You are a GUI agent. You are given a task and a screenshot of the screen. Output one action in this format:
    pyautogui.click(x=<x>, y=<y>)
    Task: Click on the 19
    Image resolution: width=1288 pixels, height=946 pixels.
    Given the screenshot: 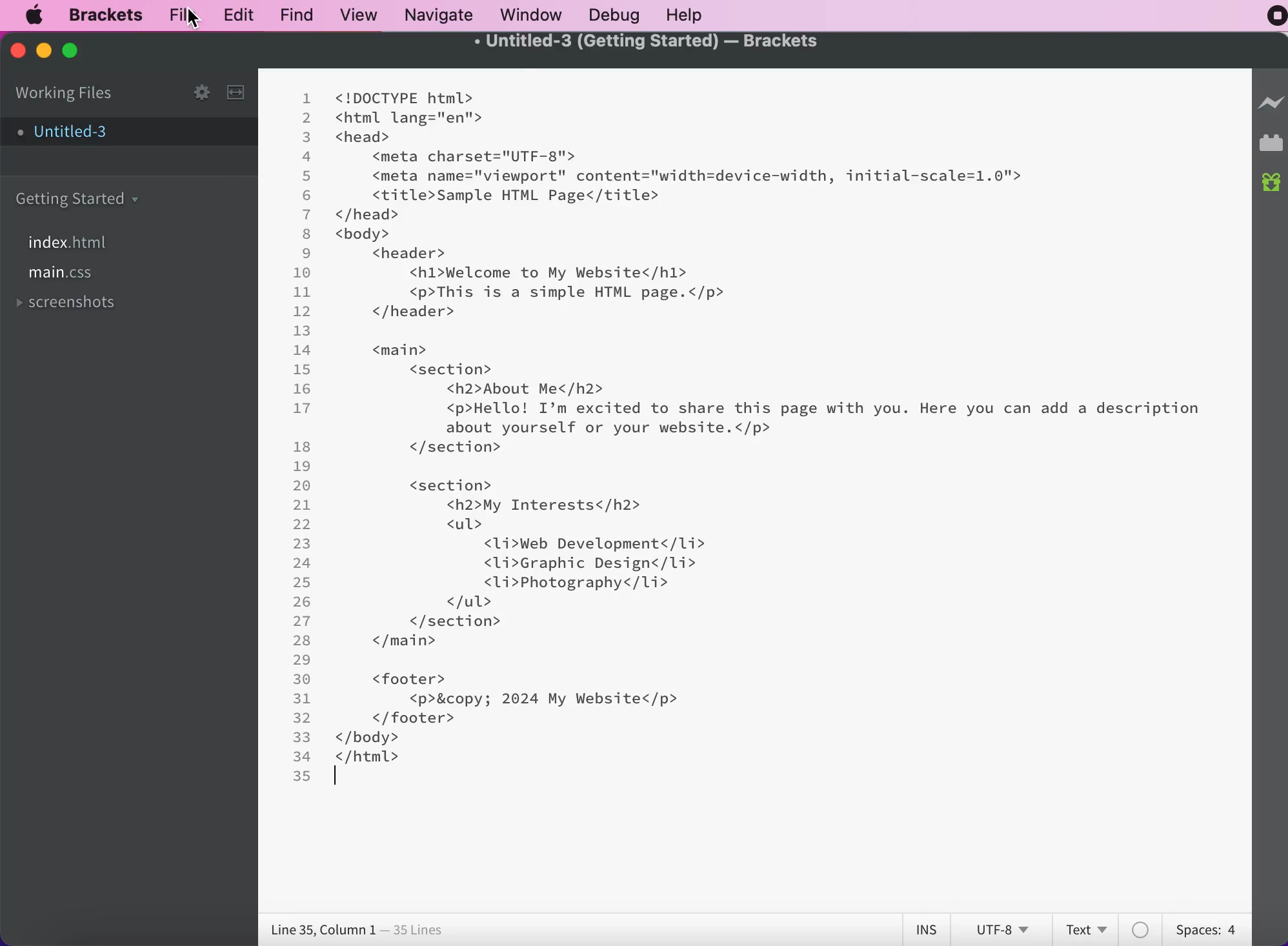 What is the action you would take?
    pyautogui.click(x=303, y=467)
    